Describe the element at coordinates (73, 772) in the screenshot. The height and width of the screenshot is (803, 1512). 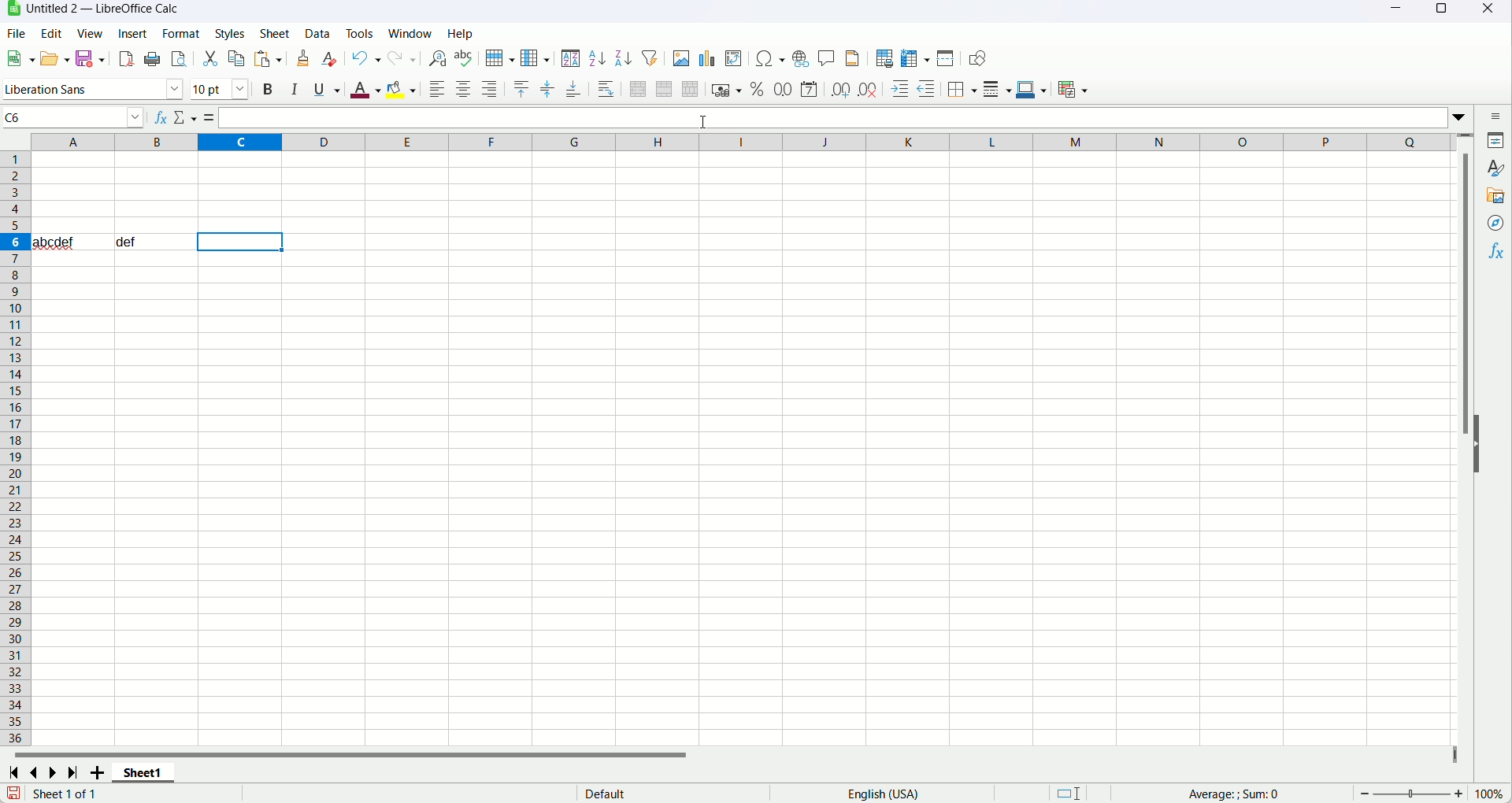
I see `scroll to last sheet` at that location.